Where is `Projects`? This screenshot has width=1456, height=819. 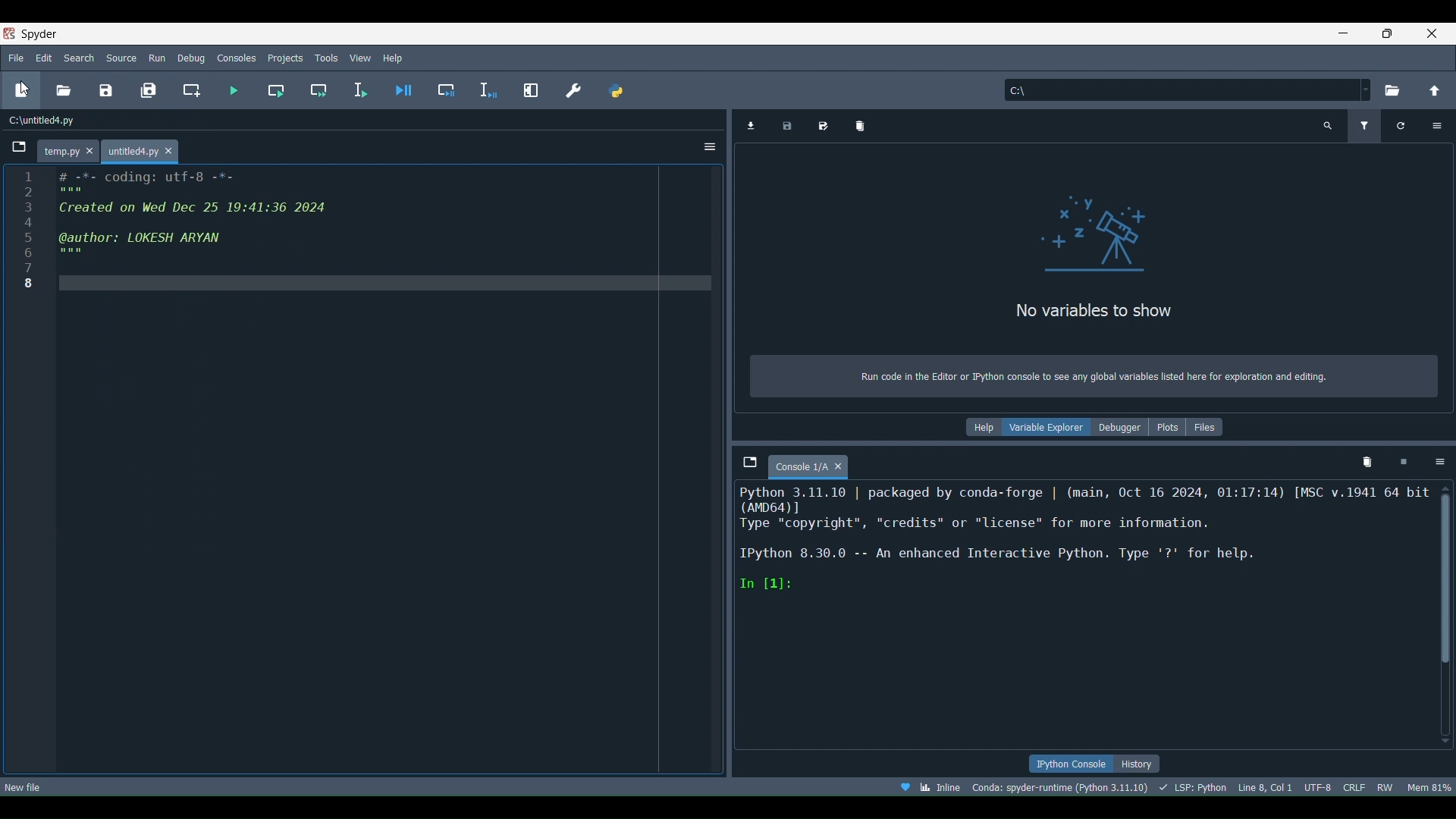
Projects is located at coordinates (286, 55).